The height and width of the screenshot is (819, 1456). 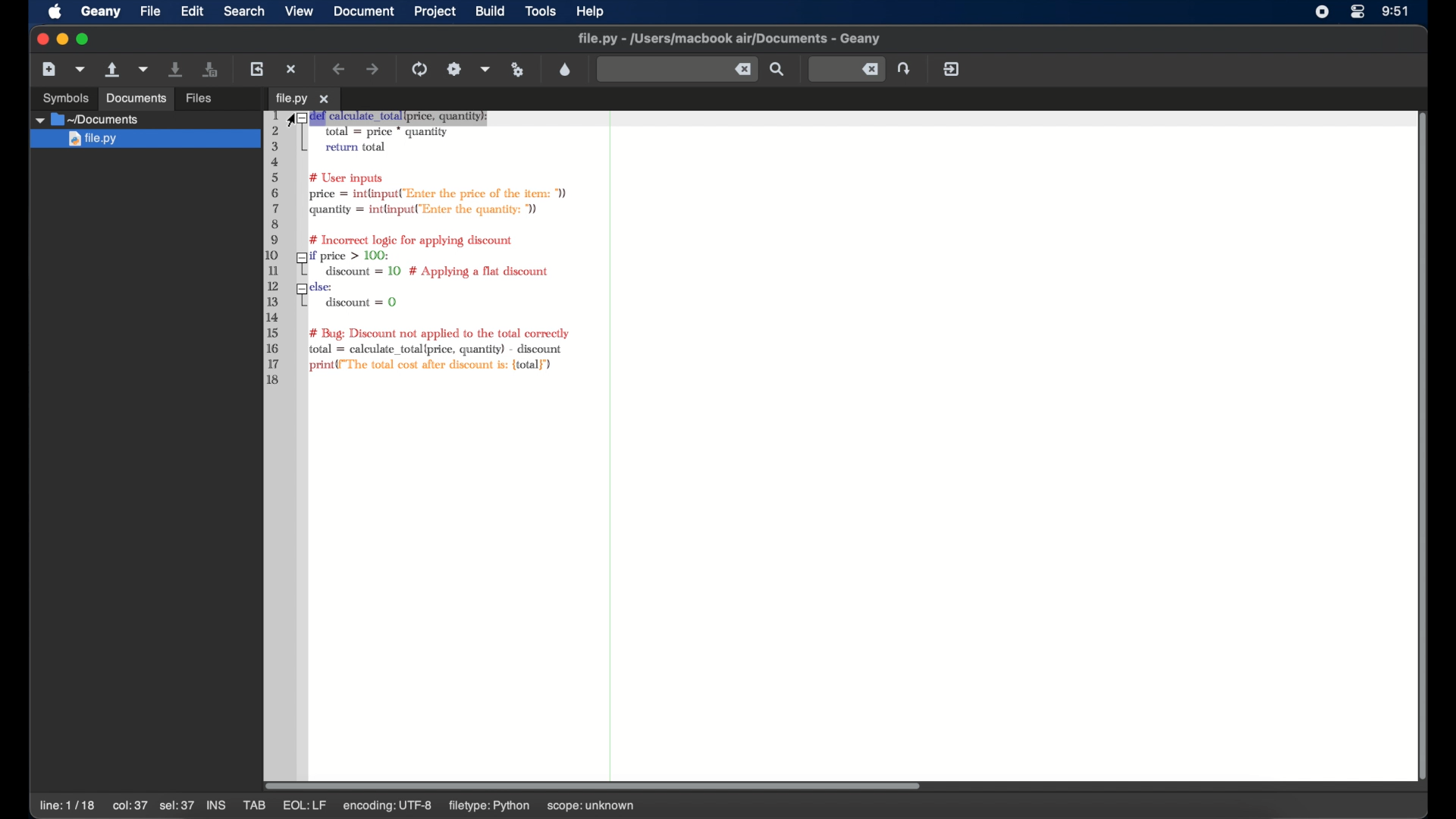 I want to click on control center, so click(x=1357, y=12).